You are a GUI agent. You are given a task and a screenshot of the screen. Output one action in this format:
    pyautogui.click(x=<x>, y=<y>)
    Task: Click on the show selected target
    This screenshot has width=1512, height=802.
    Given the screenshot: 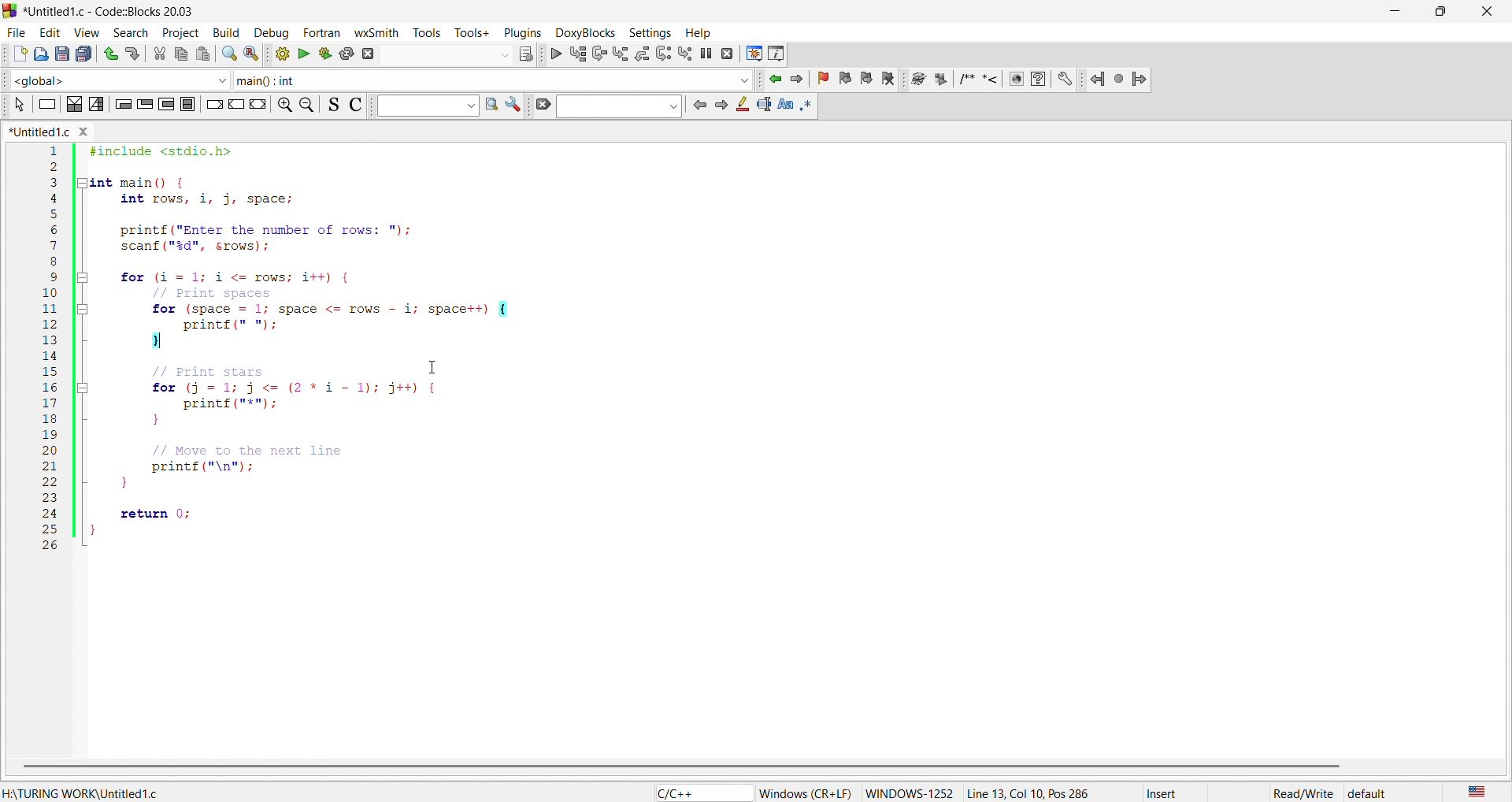 What is the action you would take?
    pyautogui.click(x=527, y=54)
    